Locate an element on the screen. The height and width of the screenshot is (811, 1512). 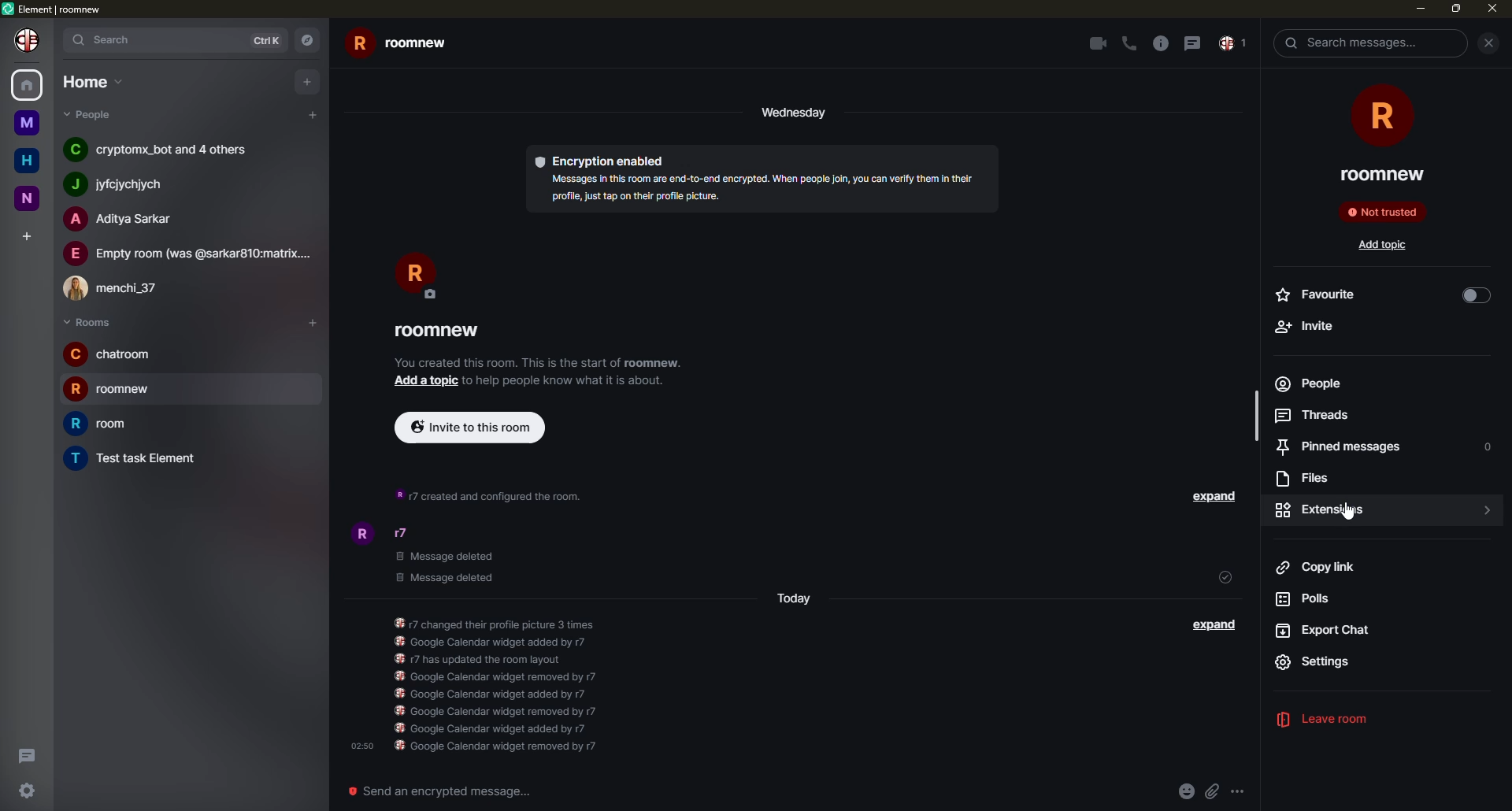
room is located at coordinates (112, 354).